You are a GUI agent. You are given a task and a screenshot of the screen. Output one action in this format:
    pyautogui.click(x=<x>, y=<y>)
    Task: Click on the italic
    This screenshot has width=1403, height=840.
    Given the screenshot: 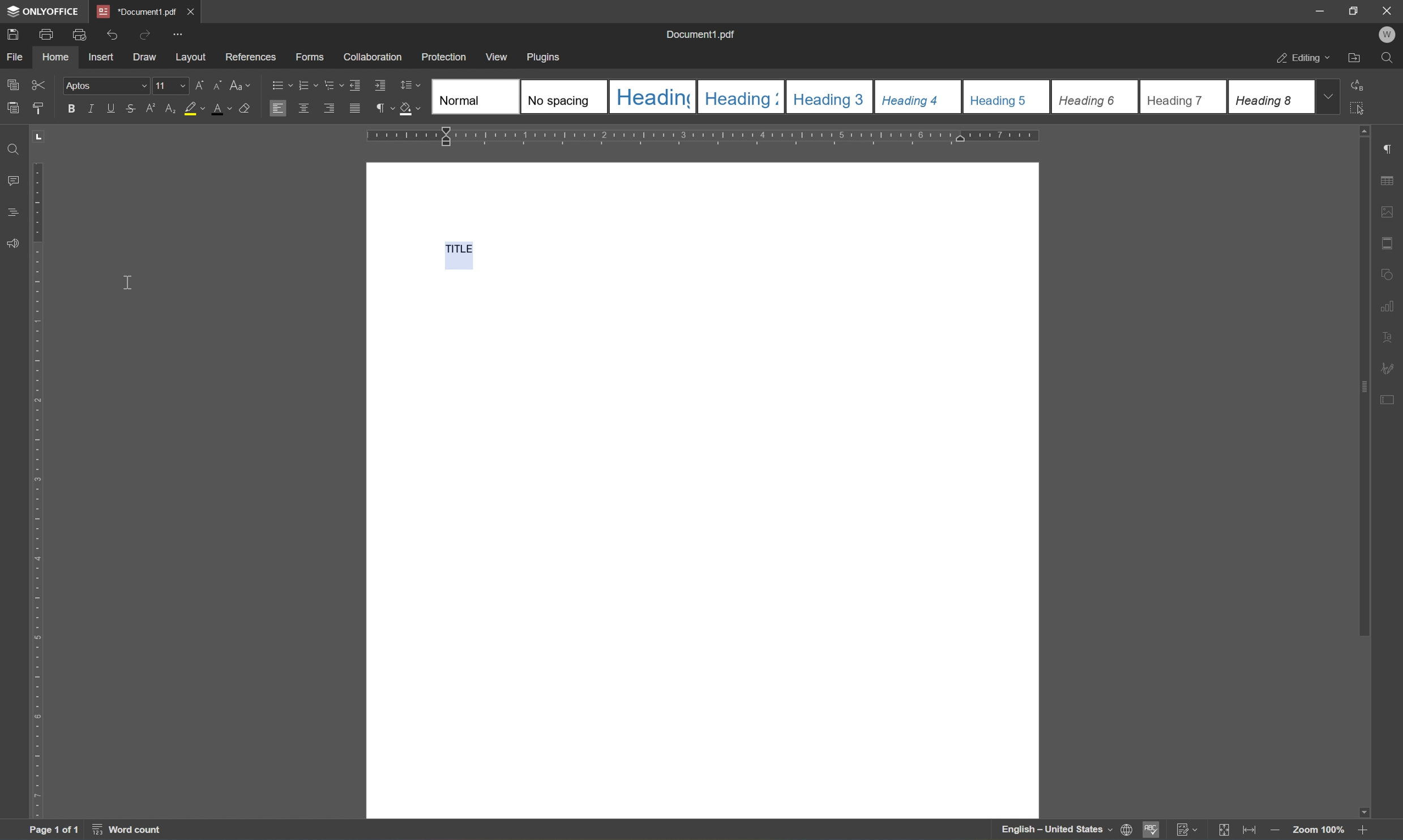 What is the action you would take?
    pyautogui.click(x=91, y=109)
    